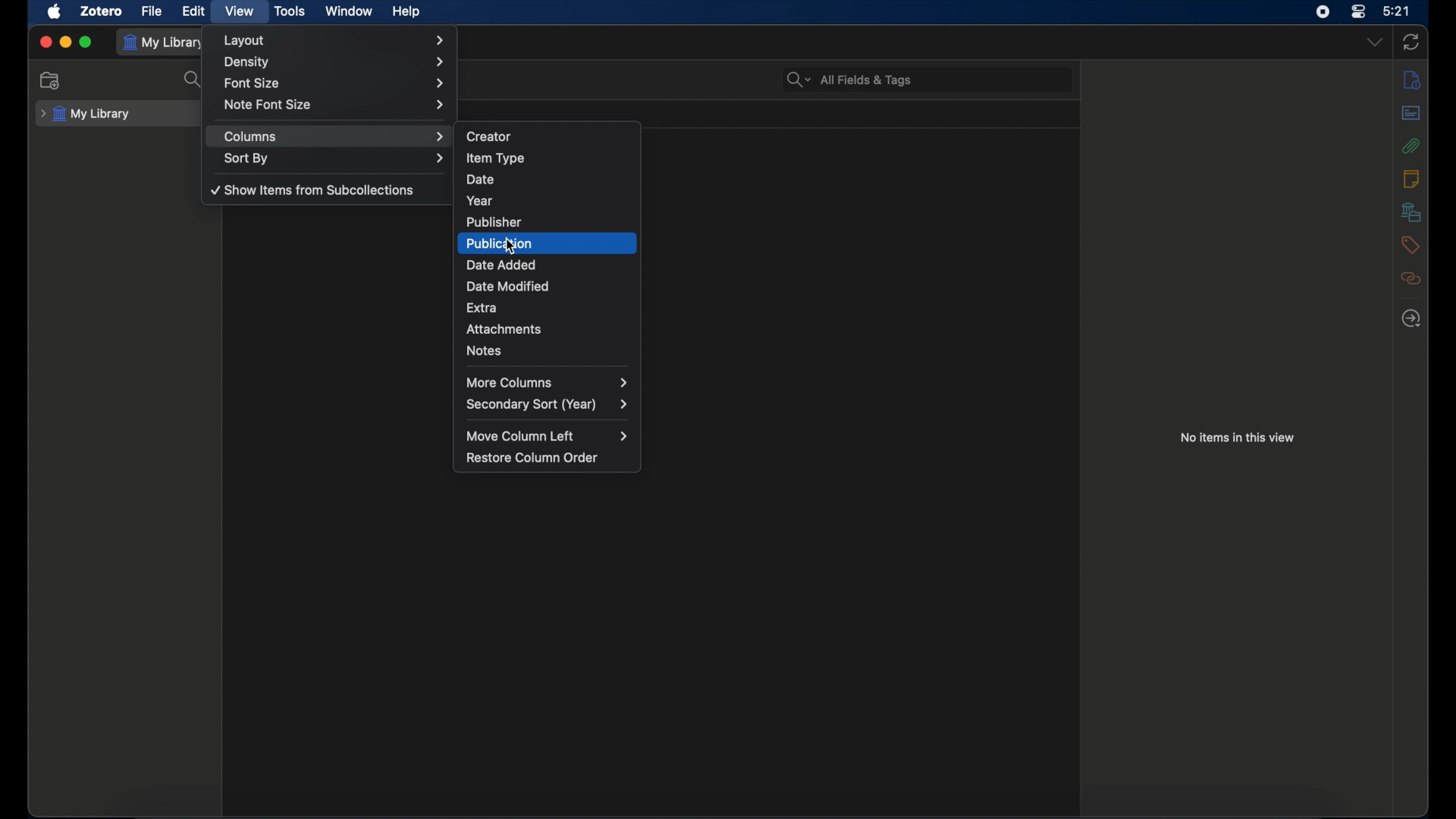  Describe the element at coordinates (314, 189) in the screenshot. I see `show items from sub collections` at that location.